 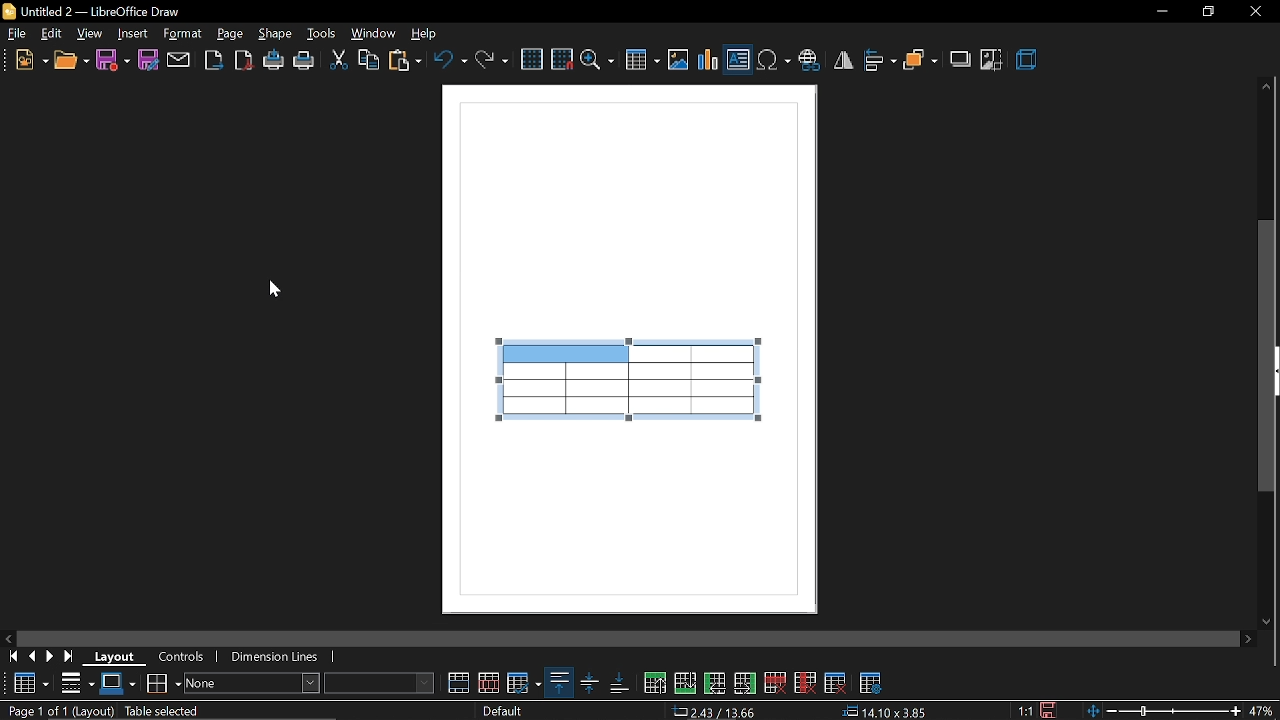 What do you see at coordinates (1027, 60) in the screenshot?
I see `3d effects` at bounding box center [1027, 60].